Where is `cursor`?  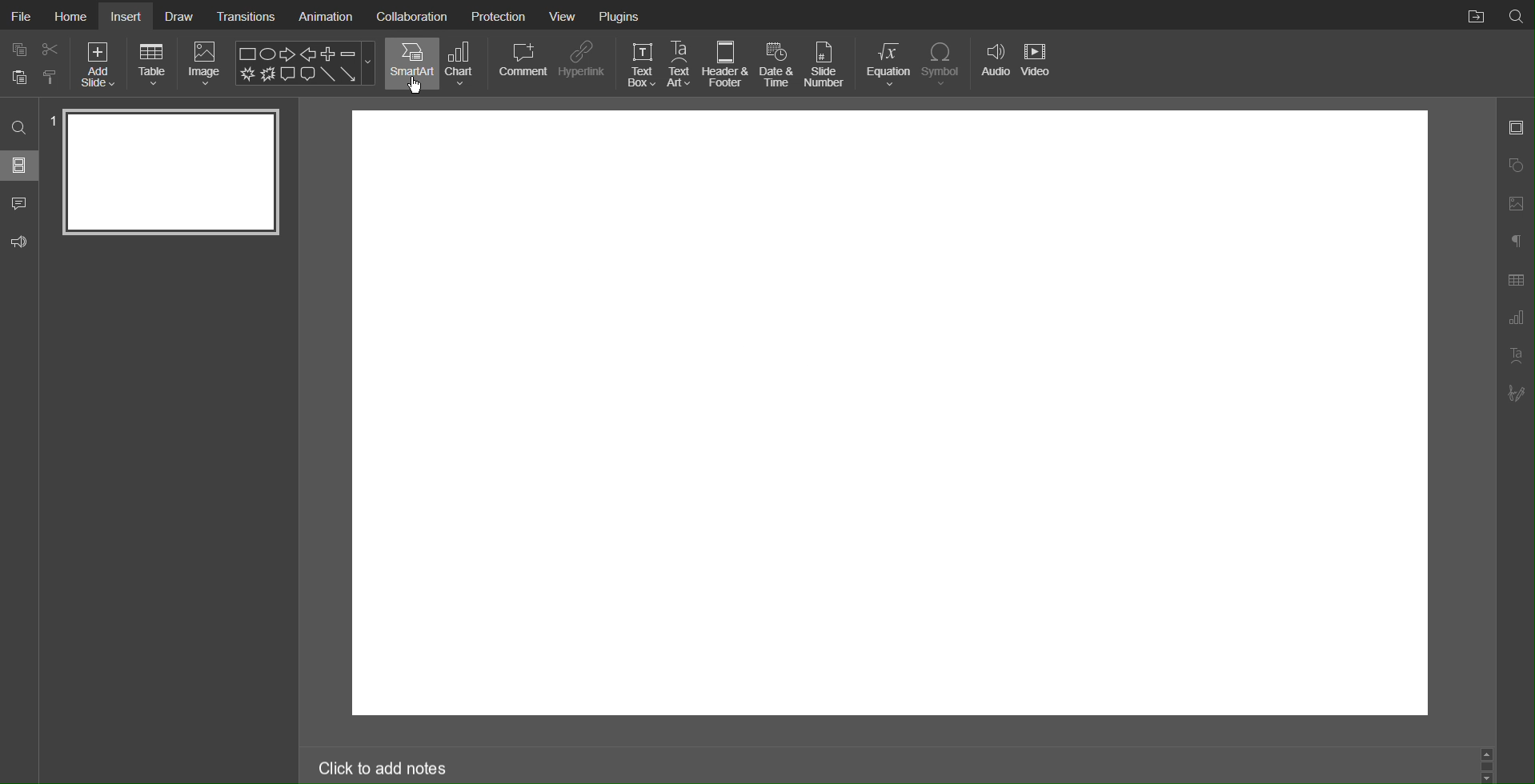 cursor is located at coordinates (418, 86).